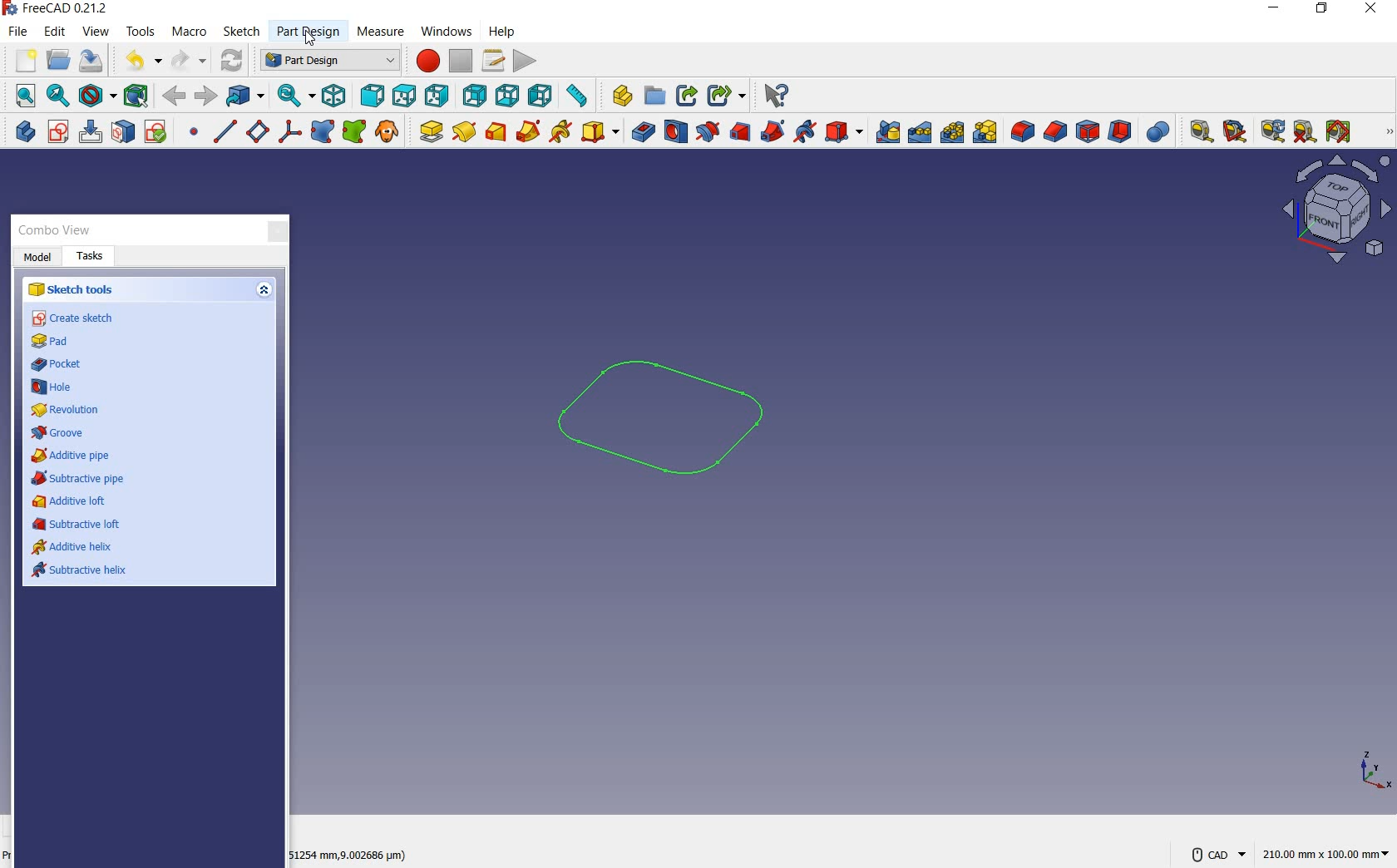  What do you see at coordinates (96, 32) in the screenshot?
I see `view` at bounding box center [96, 32].